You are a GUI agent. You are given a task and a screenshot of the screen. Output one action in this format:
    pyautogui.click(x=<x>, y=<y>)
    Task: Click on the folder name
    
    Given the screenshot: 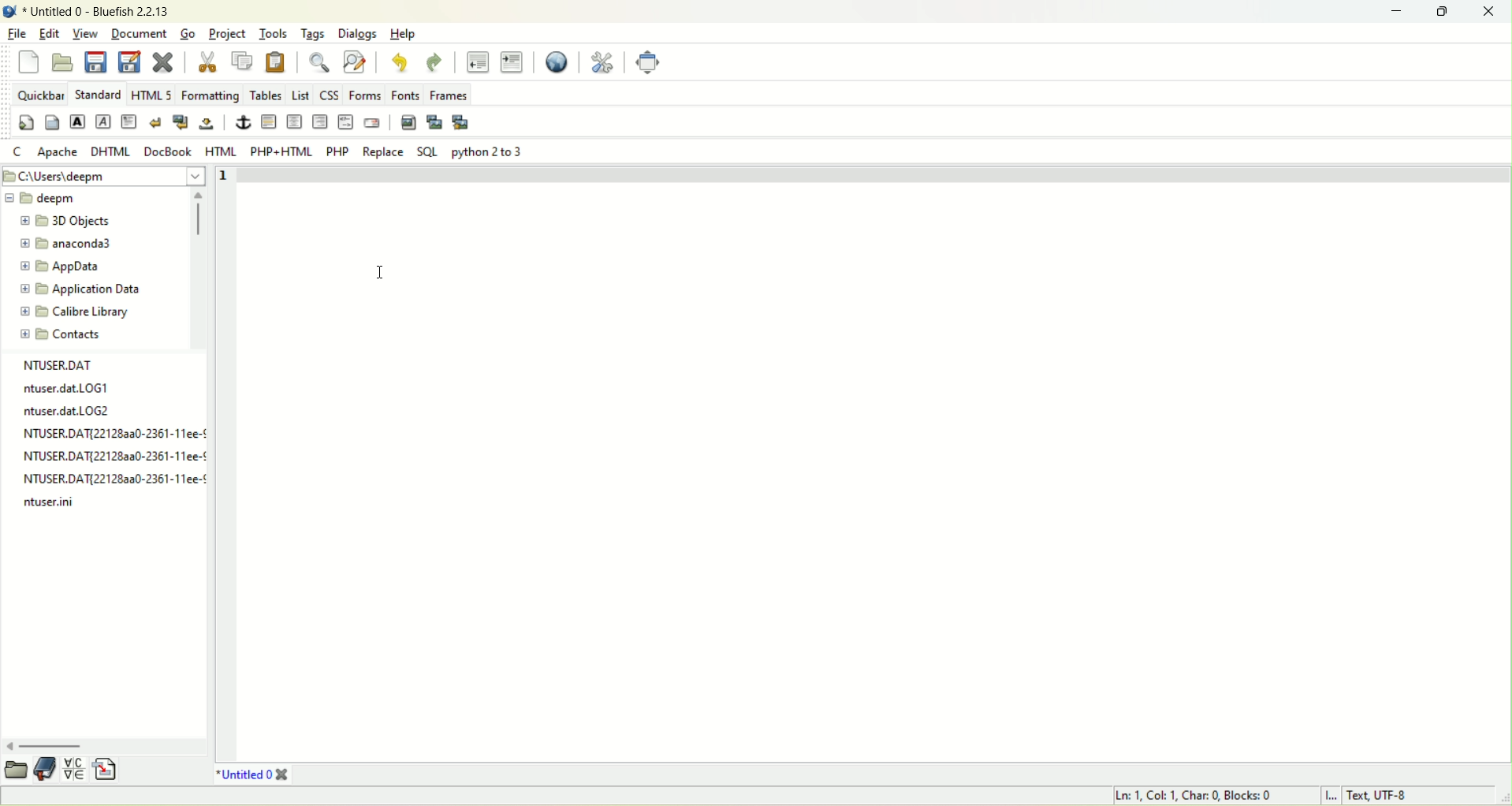 What is the action you would take?
    pyautogui.click(x=74, y=334)
    